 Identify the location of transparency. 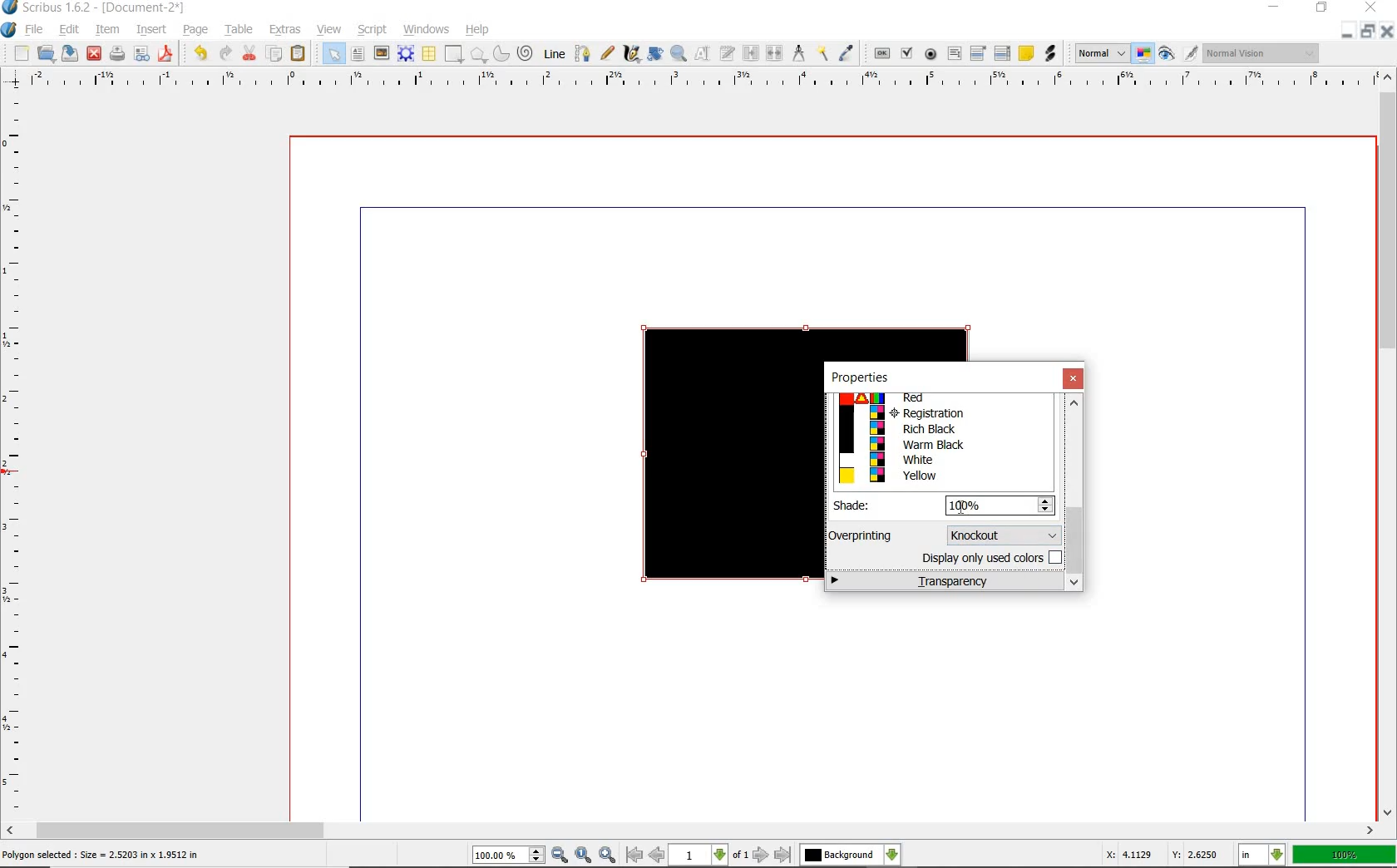
(945, 582).